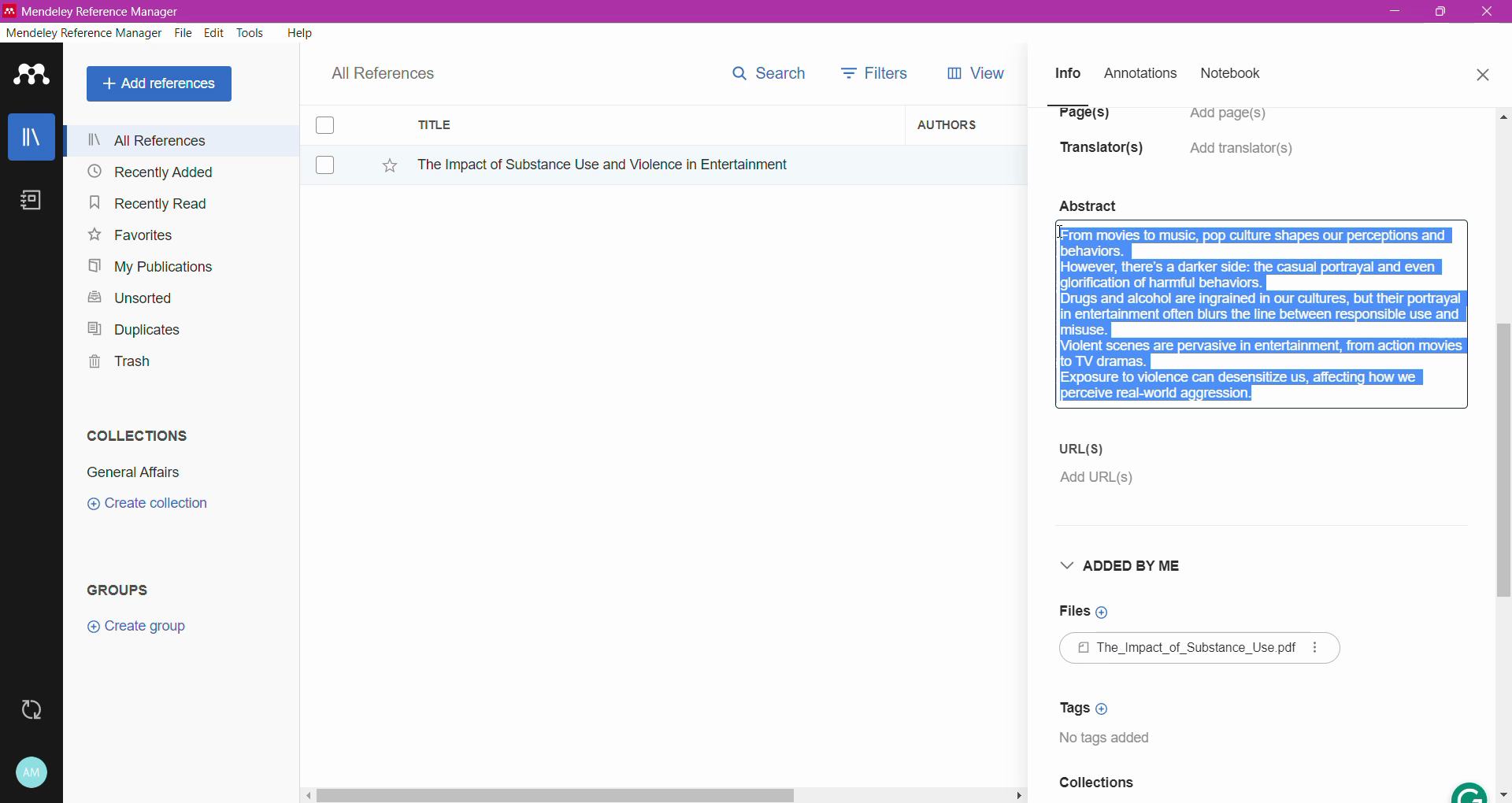  Describe the element at coordinates (298, 32) in the screenshot. I see `Help` at that location.